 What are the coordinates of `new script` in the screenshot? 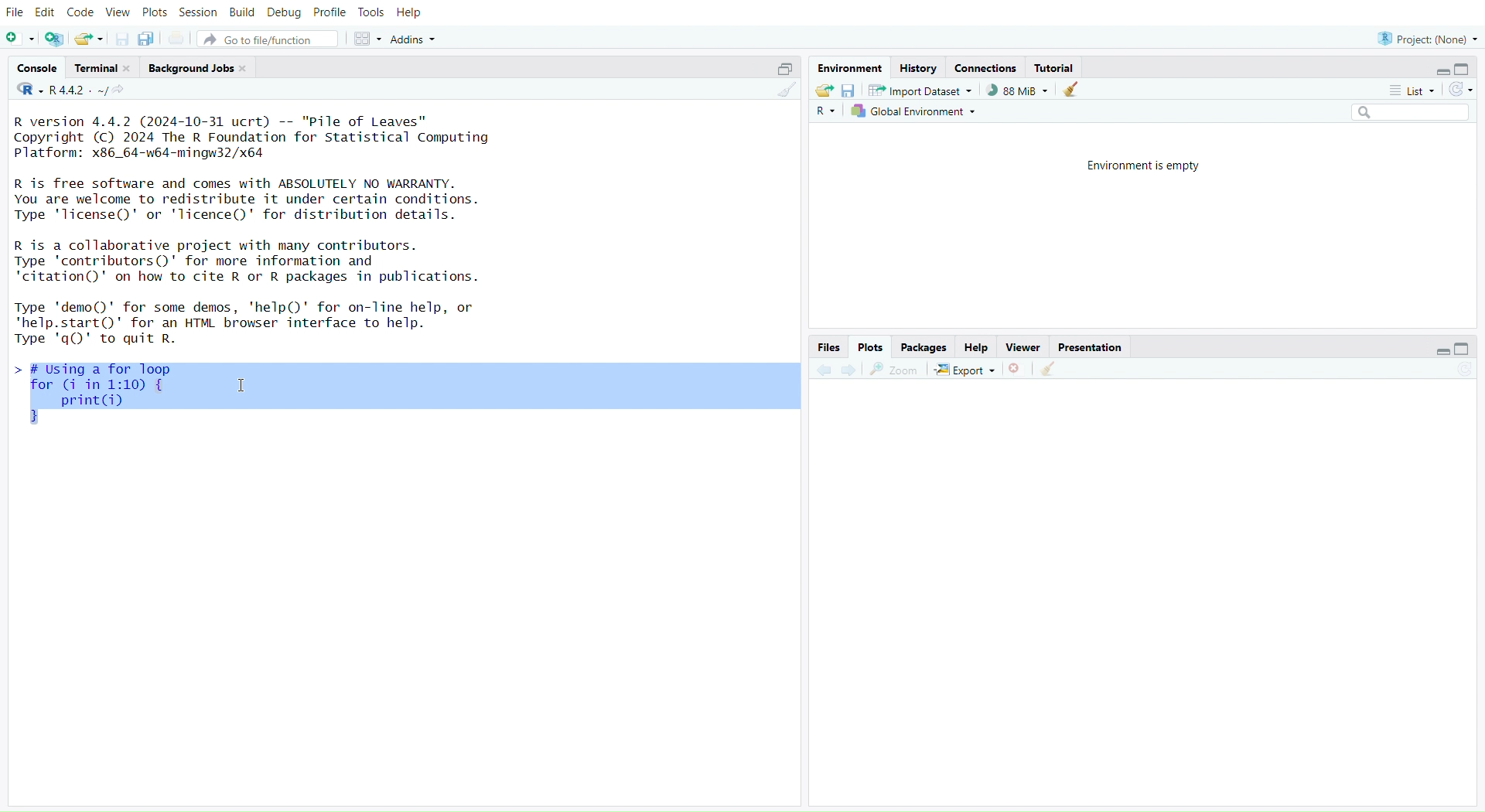 It's located at (19, 38).